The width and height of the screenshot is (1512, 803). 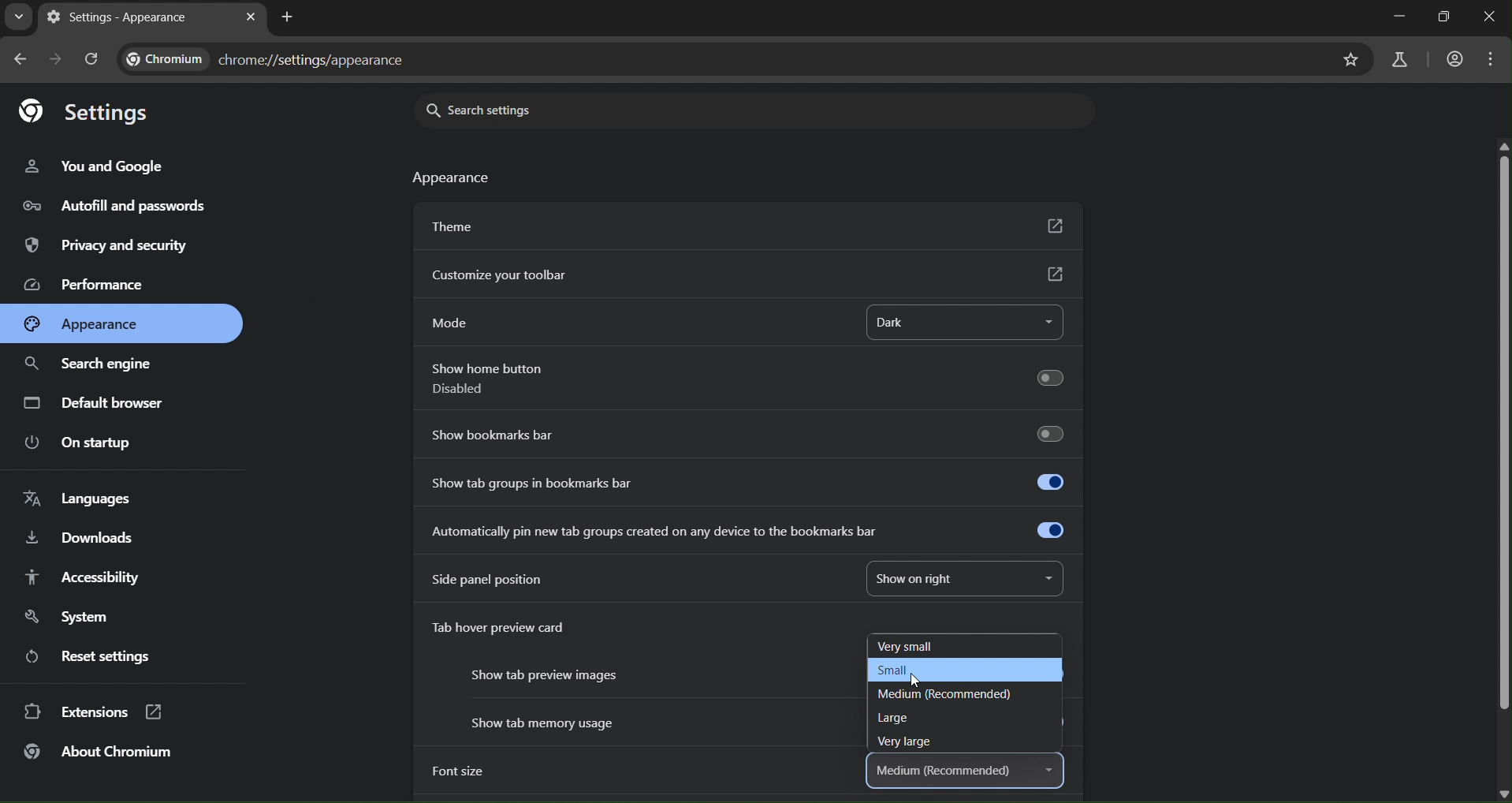 What do you see at coordinates (88, 444) in the screenshot?
I see `on startup` at bounding box center [88, 444].